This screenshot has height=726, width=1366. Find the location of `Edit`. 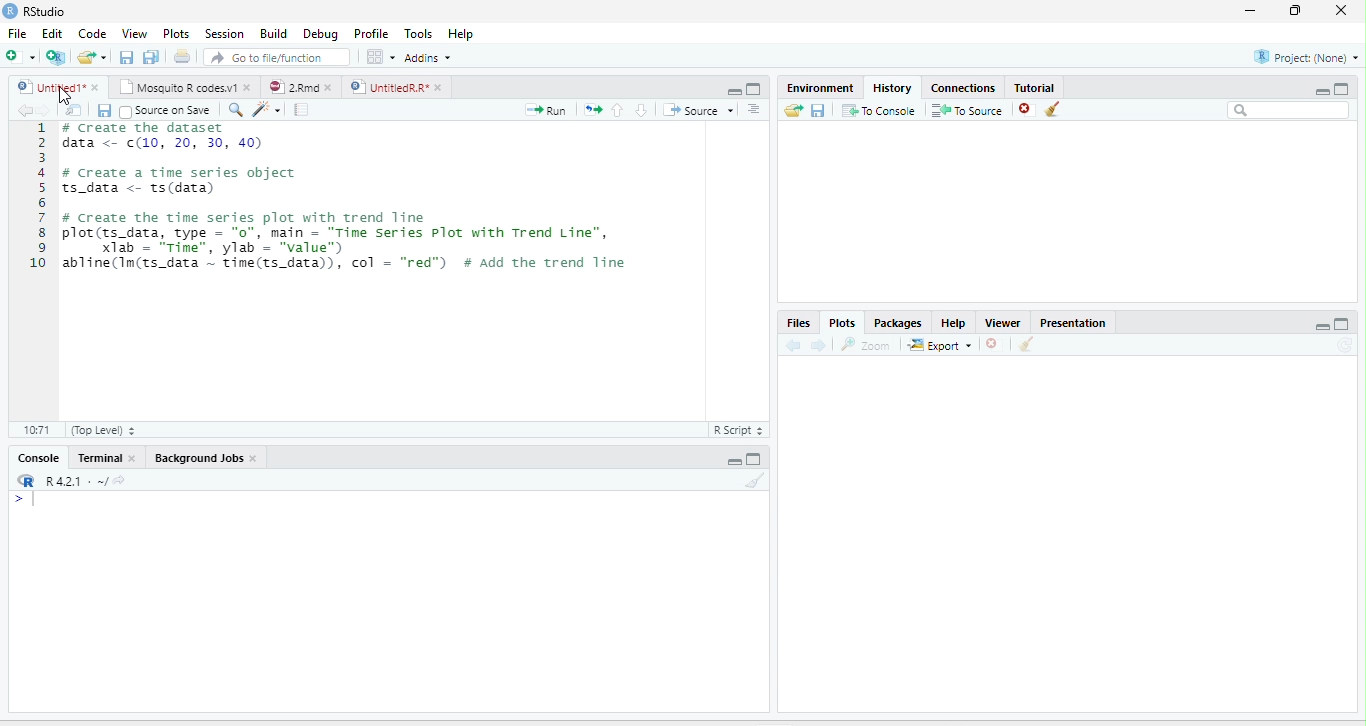

Edit is located at coordinates (51, 33).